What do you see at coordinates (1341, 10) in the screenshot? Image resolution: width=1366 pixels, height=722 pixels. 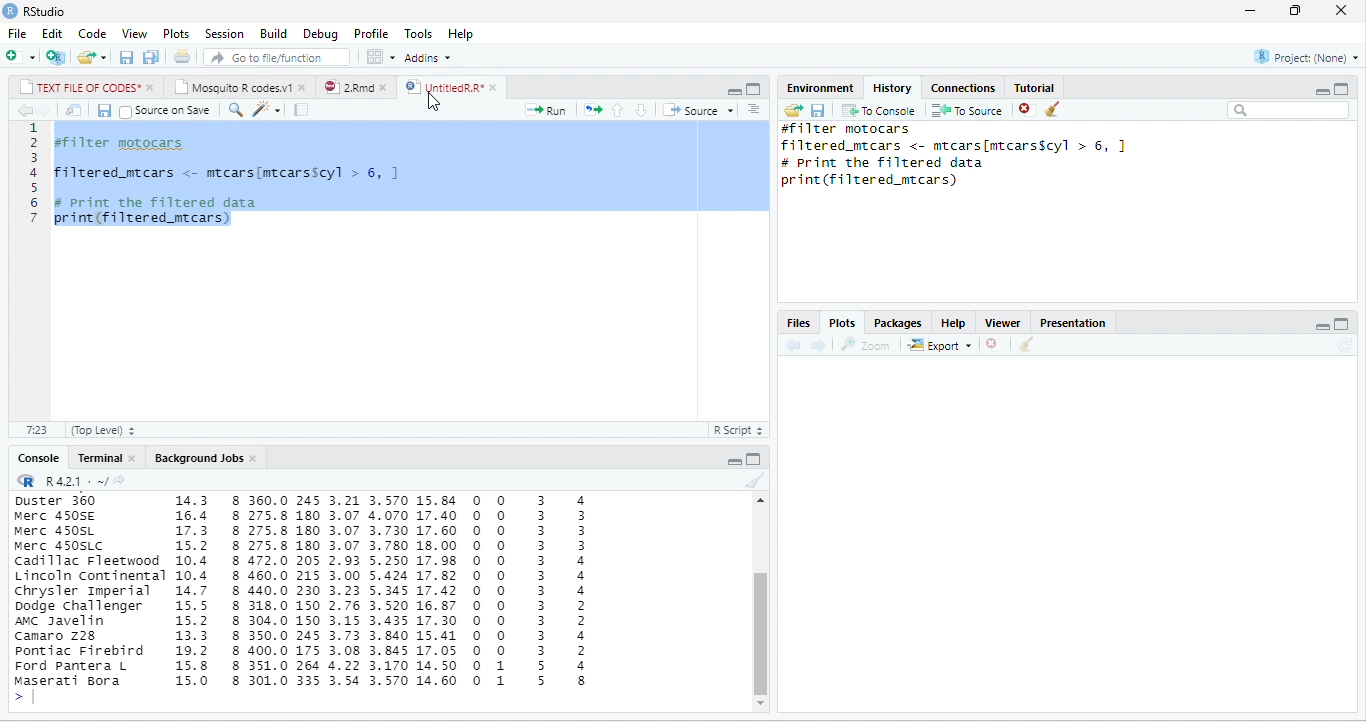 I see `close` at bounding box center [1341, 10].